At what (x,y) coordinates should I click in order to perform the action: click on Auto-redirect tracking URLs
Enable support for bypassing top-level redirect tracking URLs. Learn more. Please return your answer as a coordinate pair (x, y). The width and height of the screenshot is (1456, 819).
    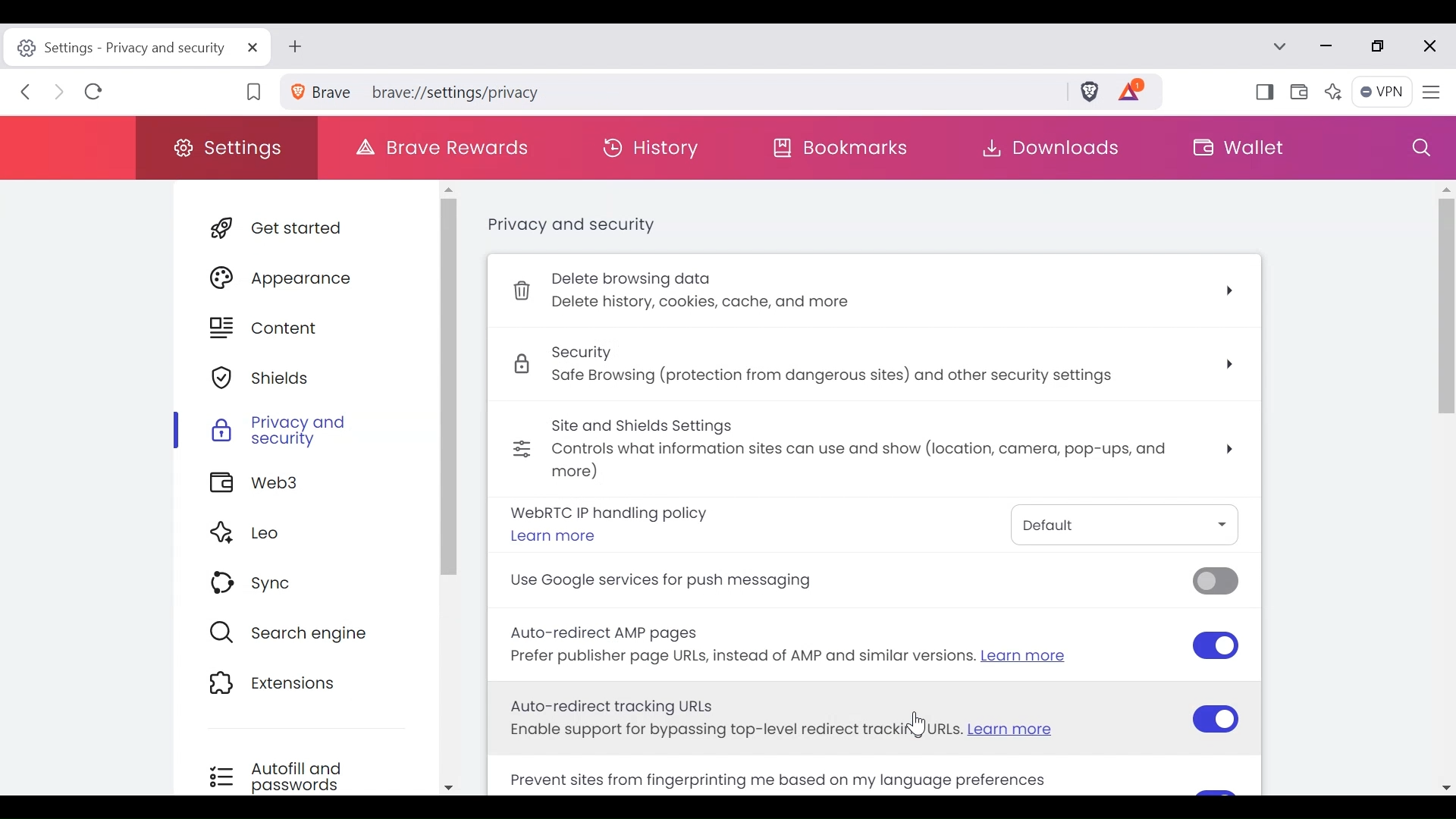
    Looking at the image, I should click on (871, 720).